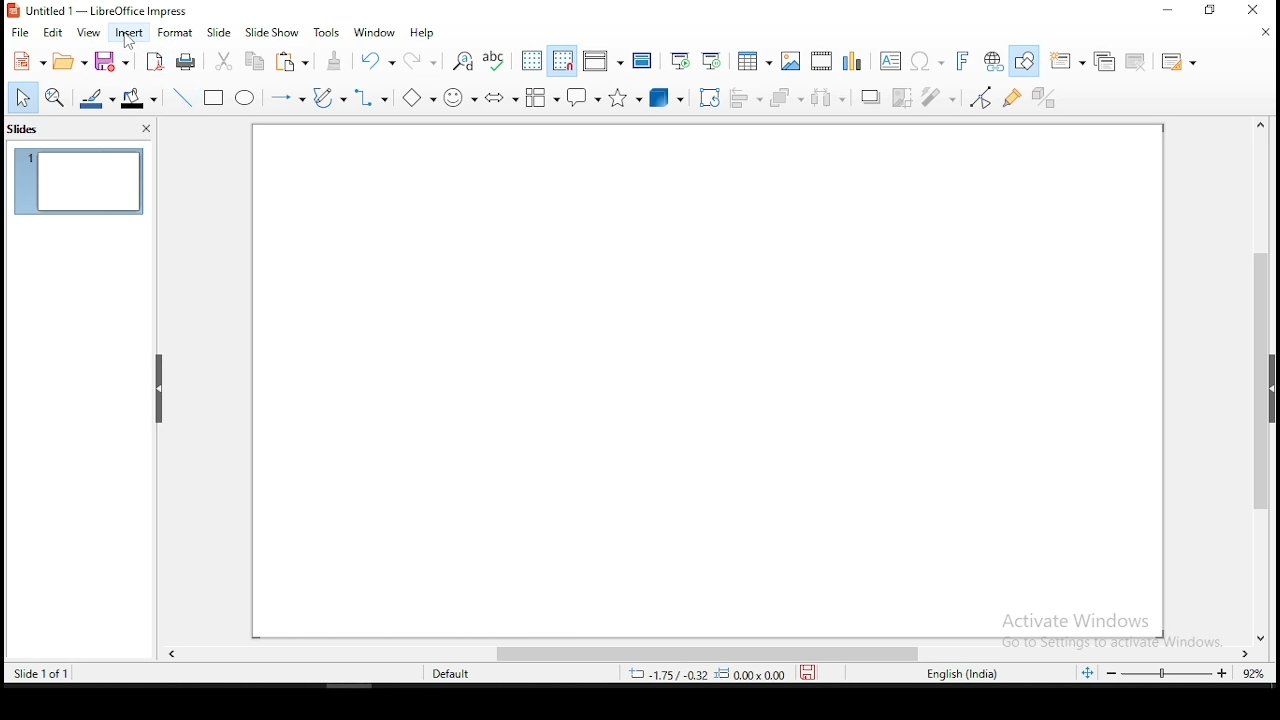 Image resolution: width=1280 pixels, height=720 pixels. What do you see at coordinates (1183, 63) in the screenshot?
I see `slide layout` at bounding box center [1183, 63].